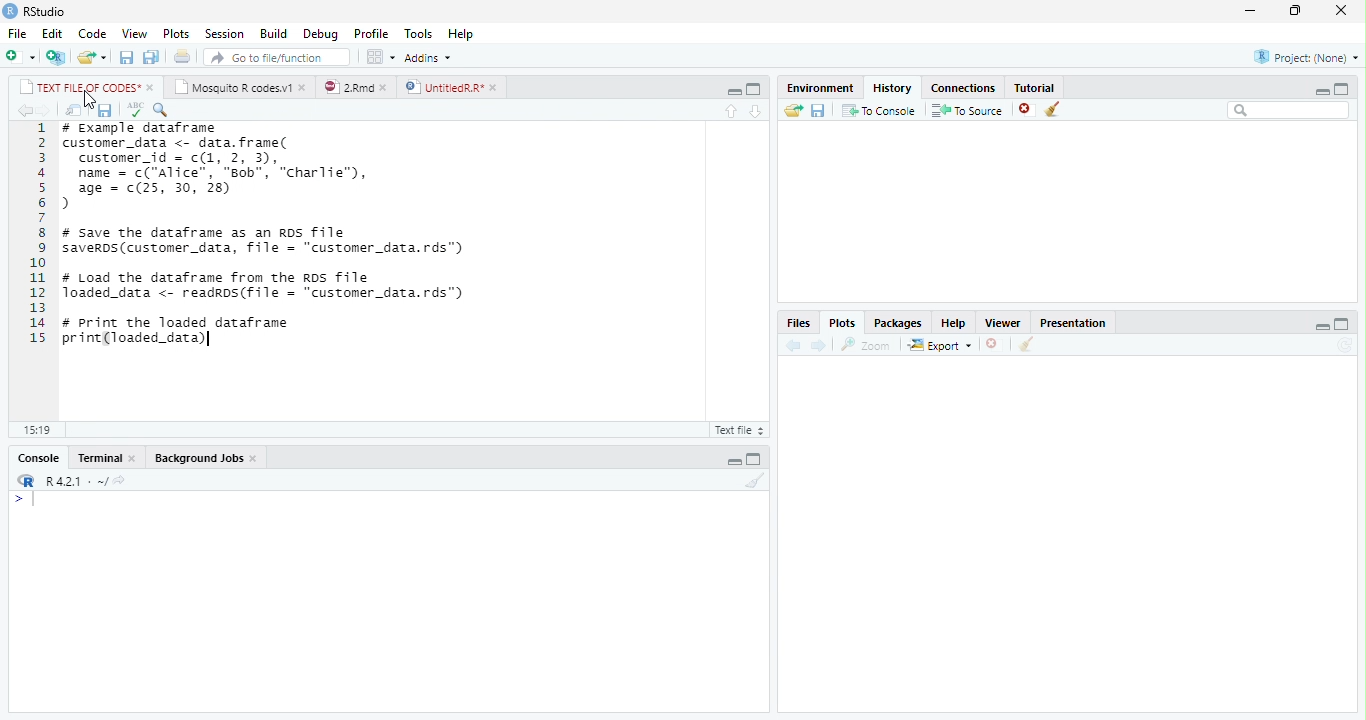 This screenshot has height=720, width=1366. What do you see at coordinates (266, 286) in the screenshot?
I see `# Load the dataframe from the RDs file
loaded_data <- readros(file = "customer_data.rds")` at bounding box center [266, 286].